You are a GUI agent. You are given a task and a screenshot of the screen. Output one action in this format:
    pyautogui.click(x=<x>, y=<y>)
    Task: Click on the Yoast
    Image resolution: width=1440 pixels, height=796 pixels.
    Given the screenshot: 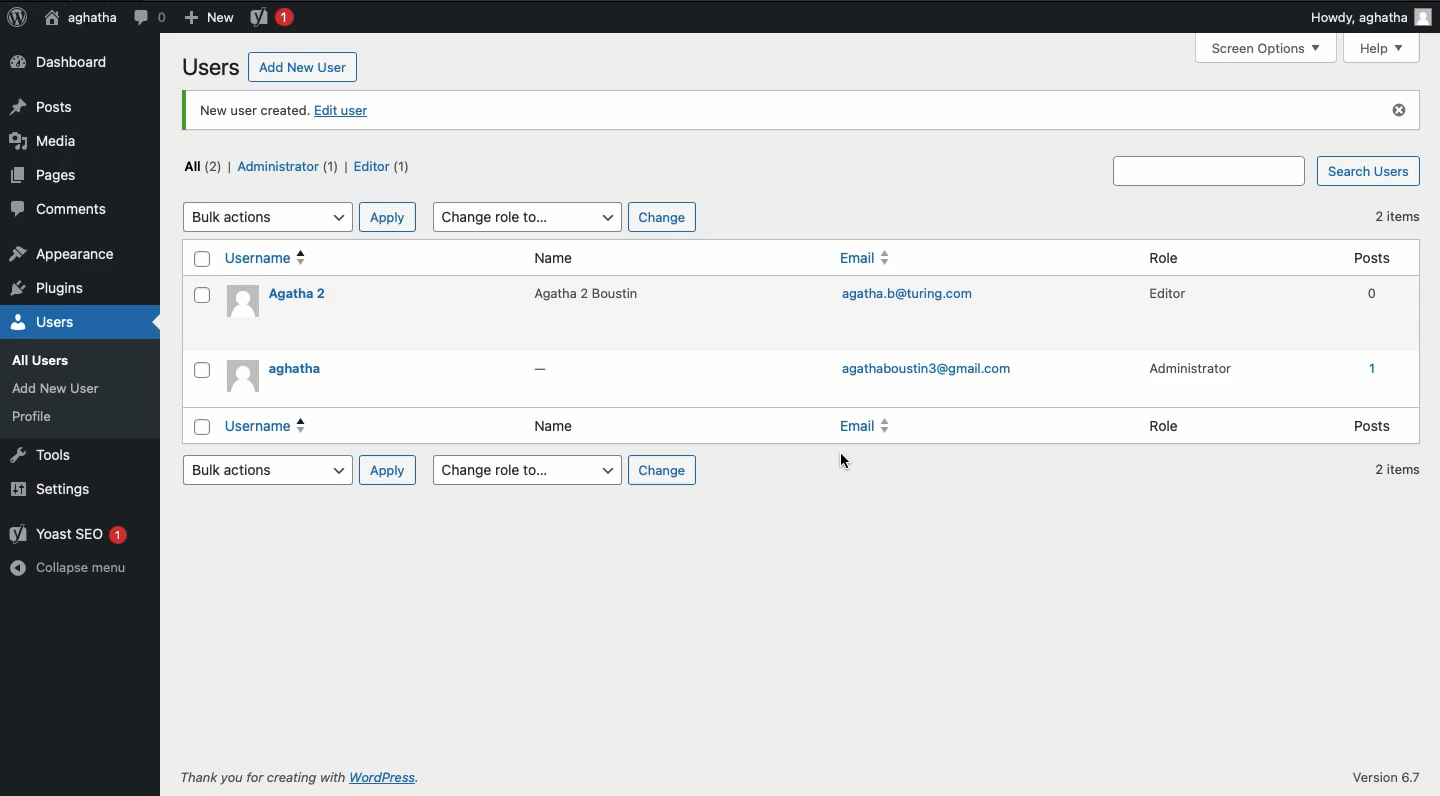 What is the action you would take?
    pyautogui.click(x=270, y=16)
    